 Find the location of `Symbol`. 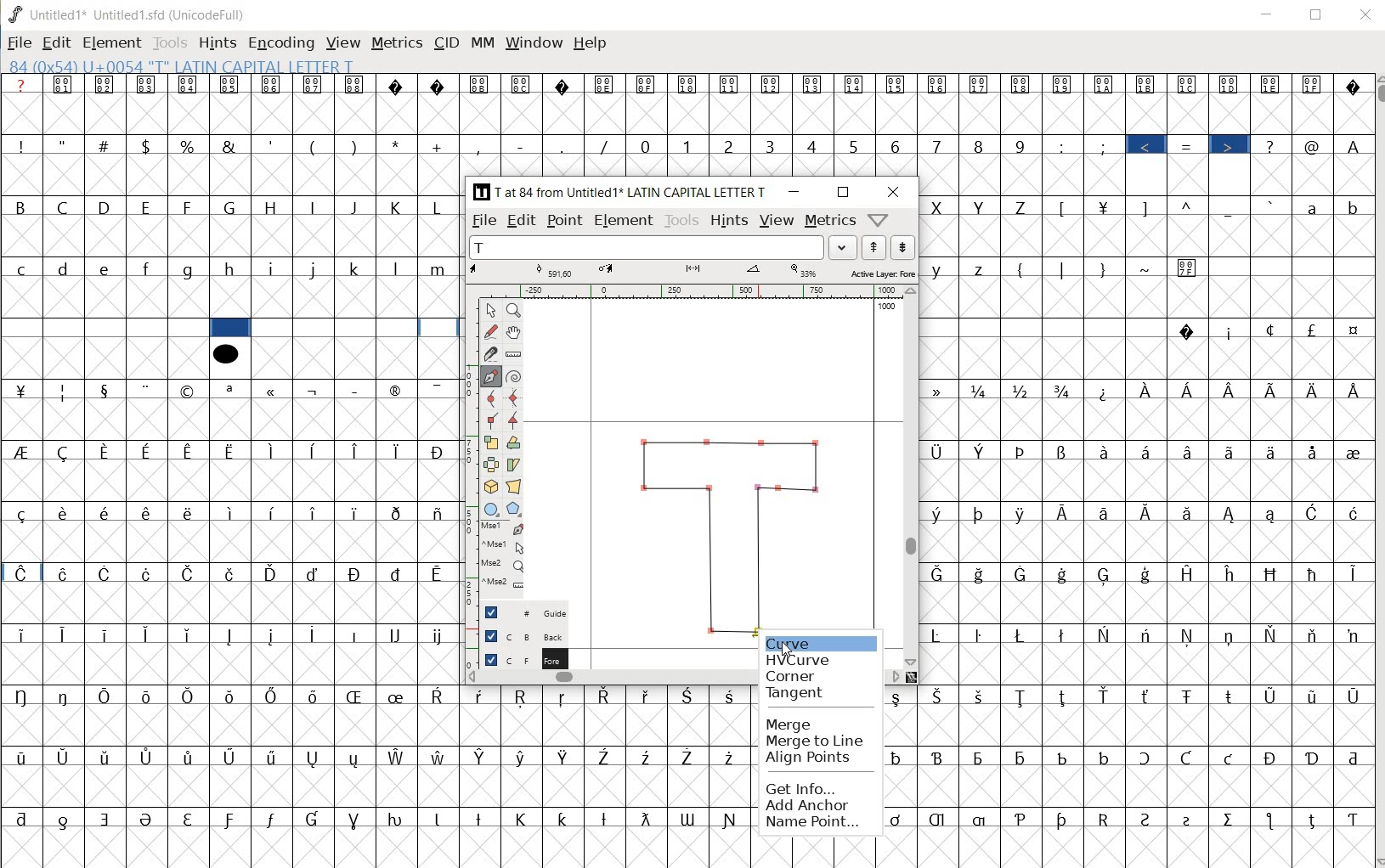

Symbol is located at coordinates (438, 512).